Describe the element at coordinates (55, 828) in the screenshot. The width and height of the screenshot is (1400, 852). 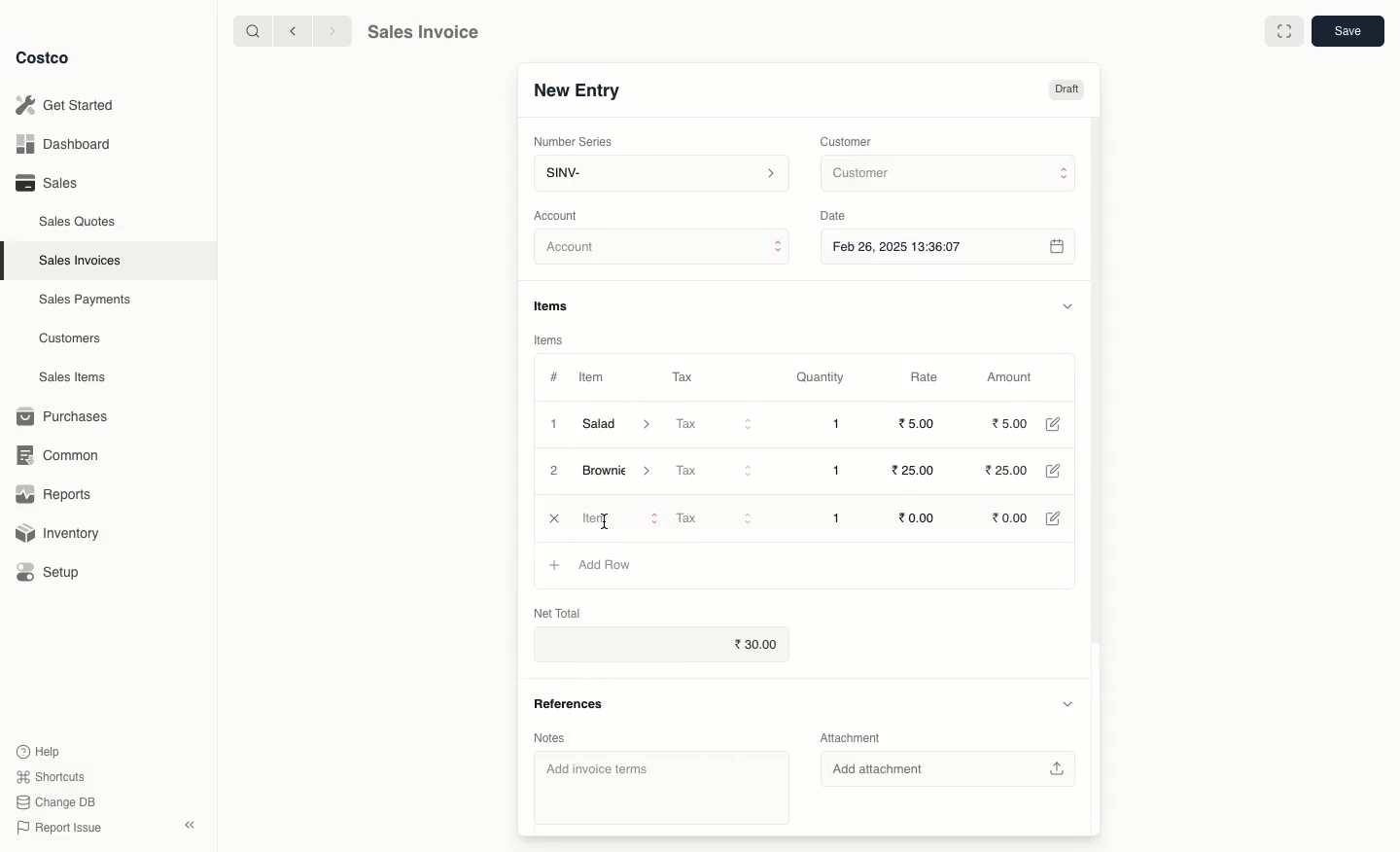
I see `Report Issue` at that location.